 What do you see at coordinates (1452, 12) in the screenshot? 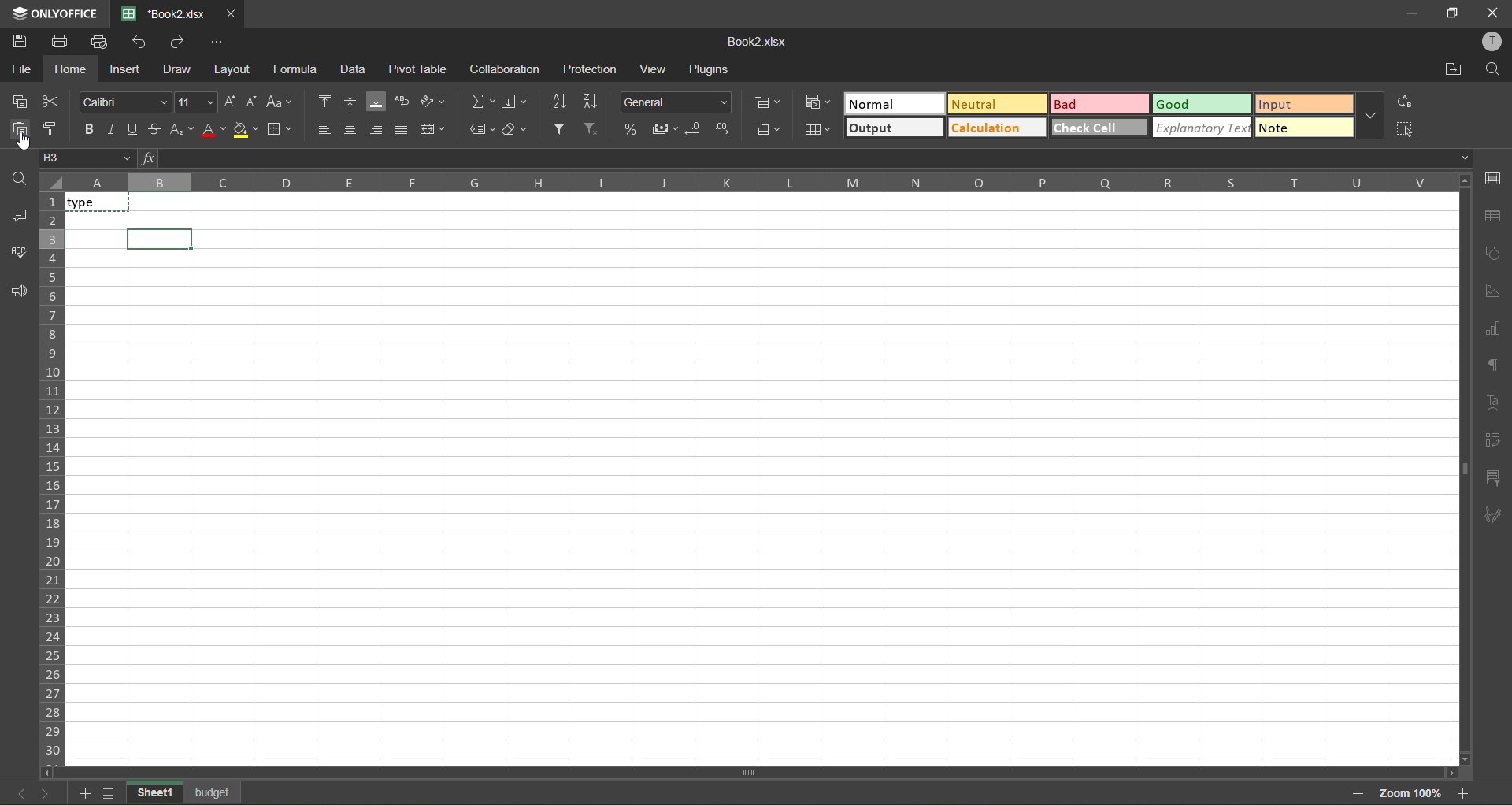
I see `maximize` at bounding box center [1452, 12].